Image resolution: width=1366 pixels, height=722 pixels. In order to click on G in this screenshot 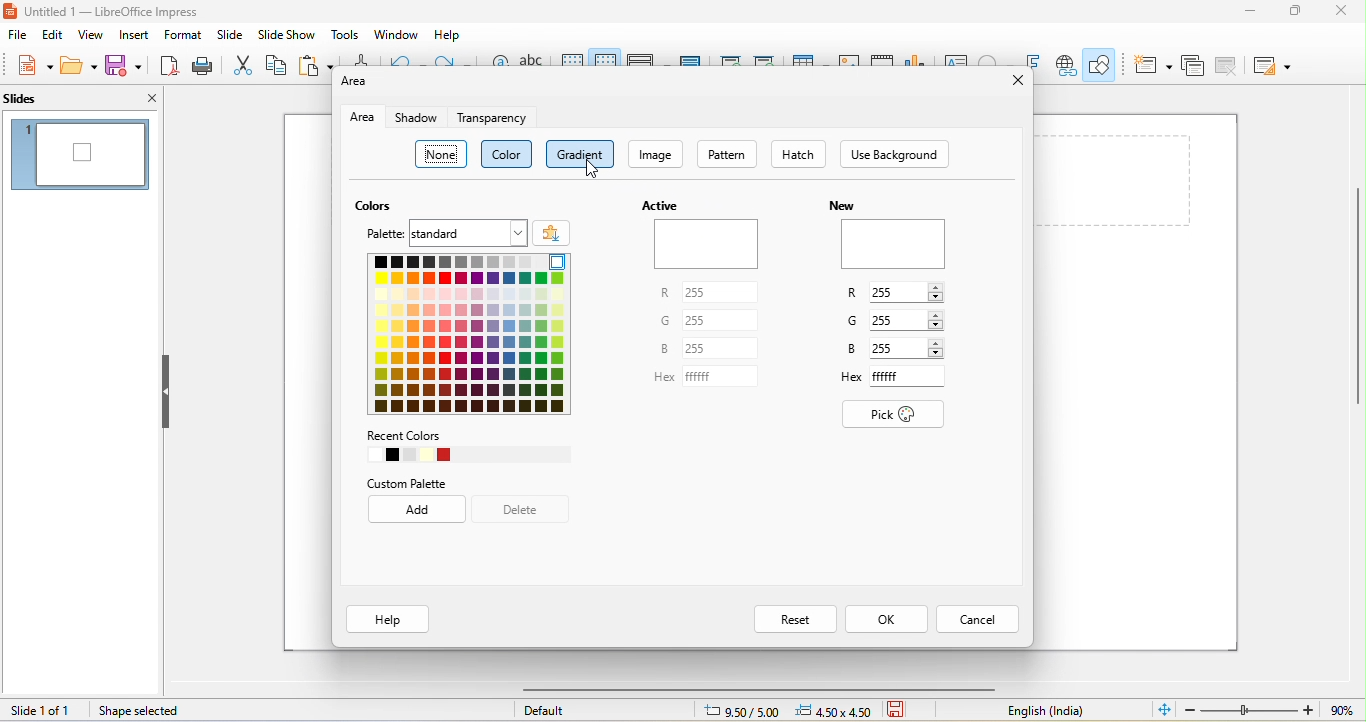, I will do `click(856, 320)`.